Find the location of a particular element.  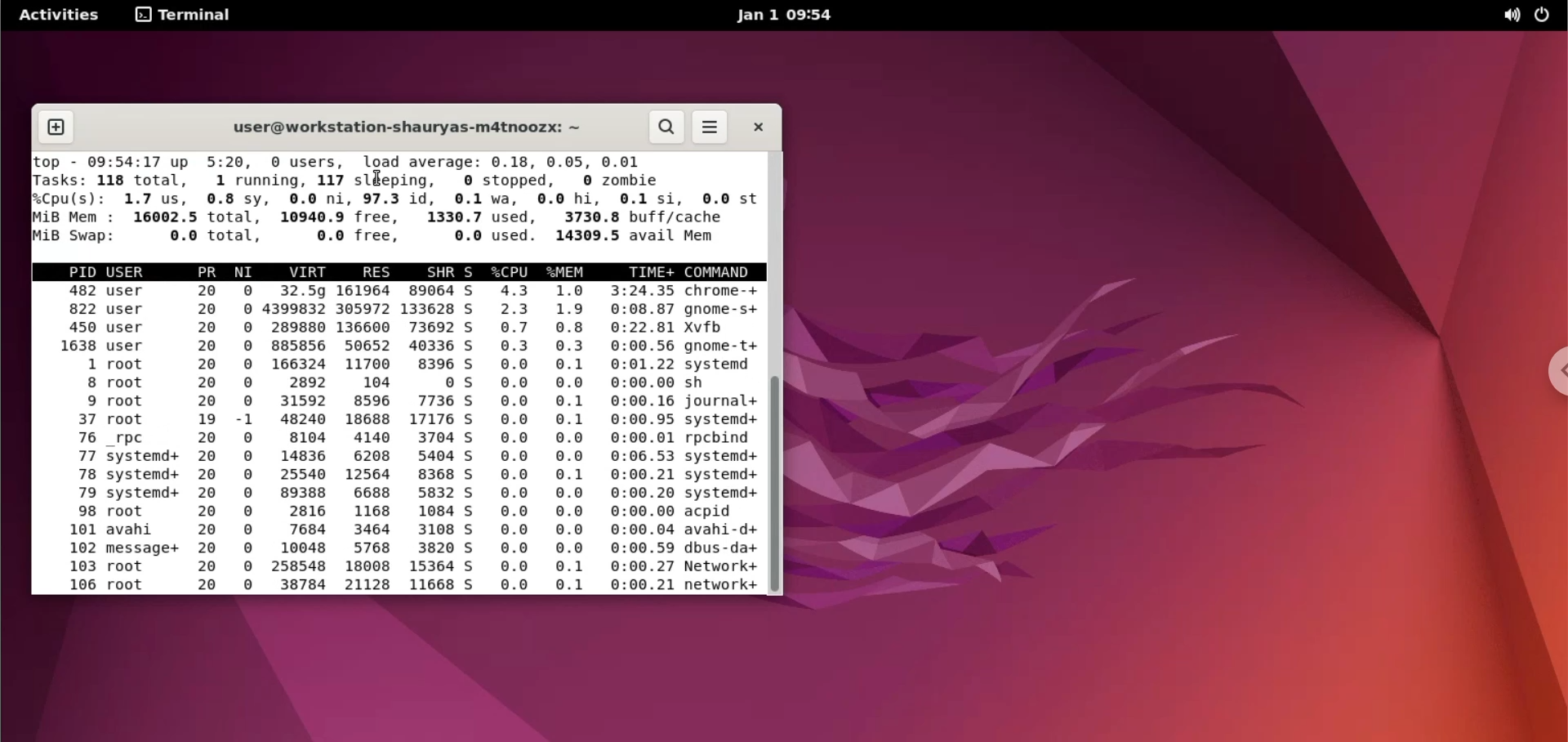

user  is located at coordinates (130, 269).